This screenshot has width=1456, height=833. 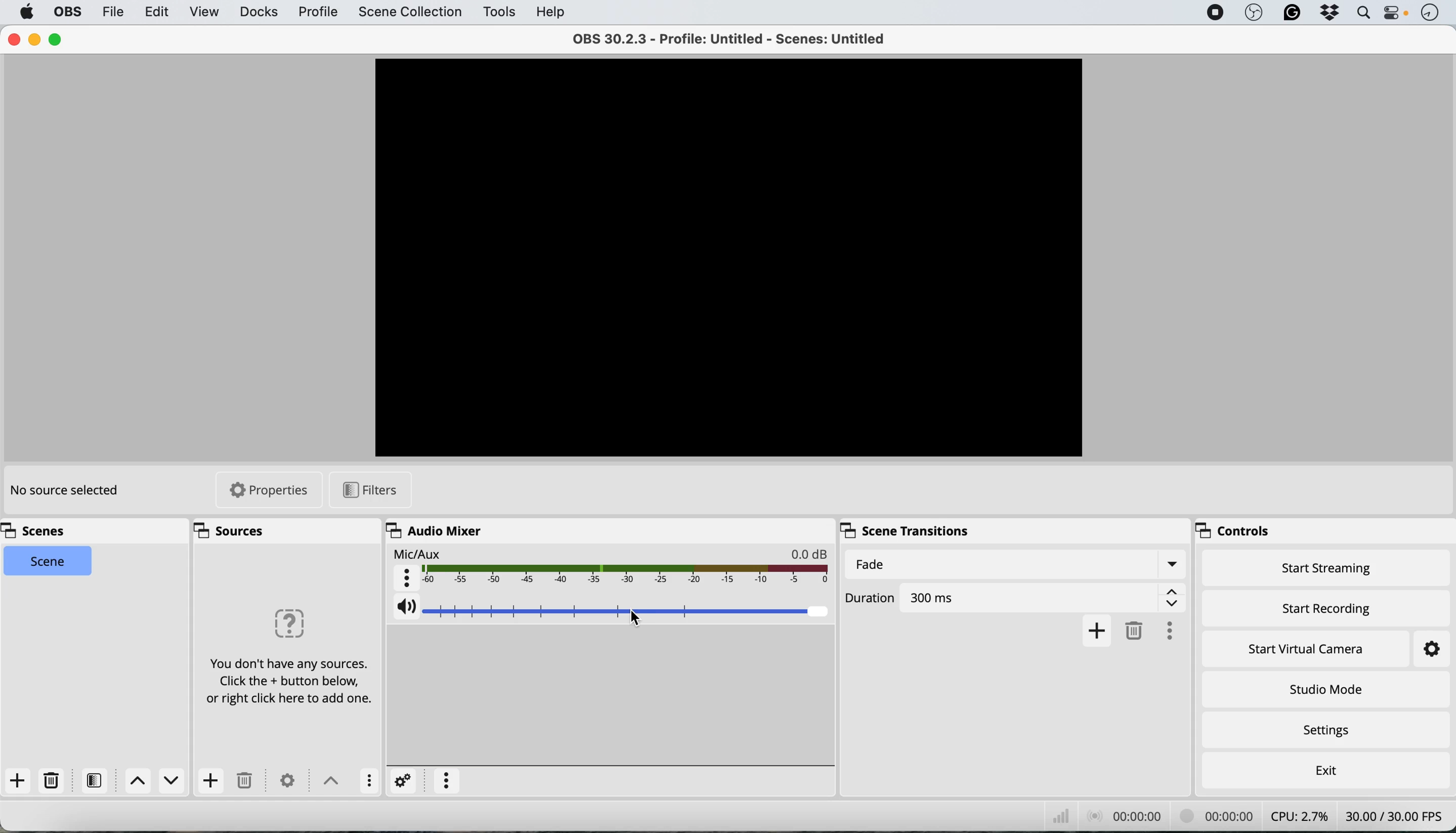 I want to click on obs, so click(x=1252, y=12).